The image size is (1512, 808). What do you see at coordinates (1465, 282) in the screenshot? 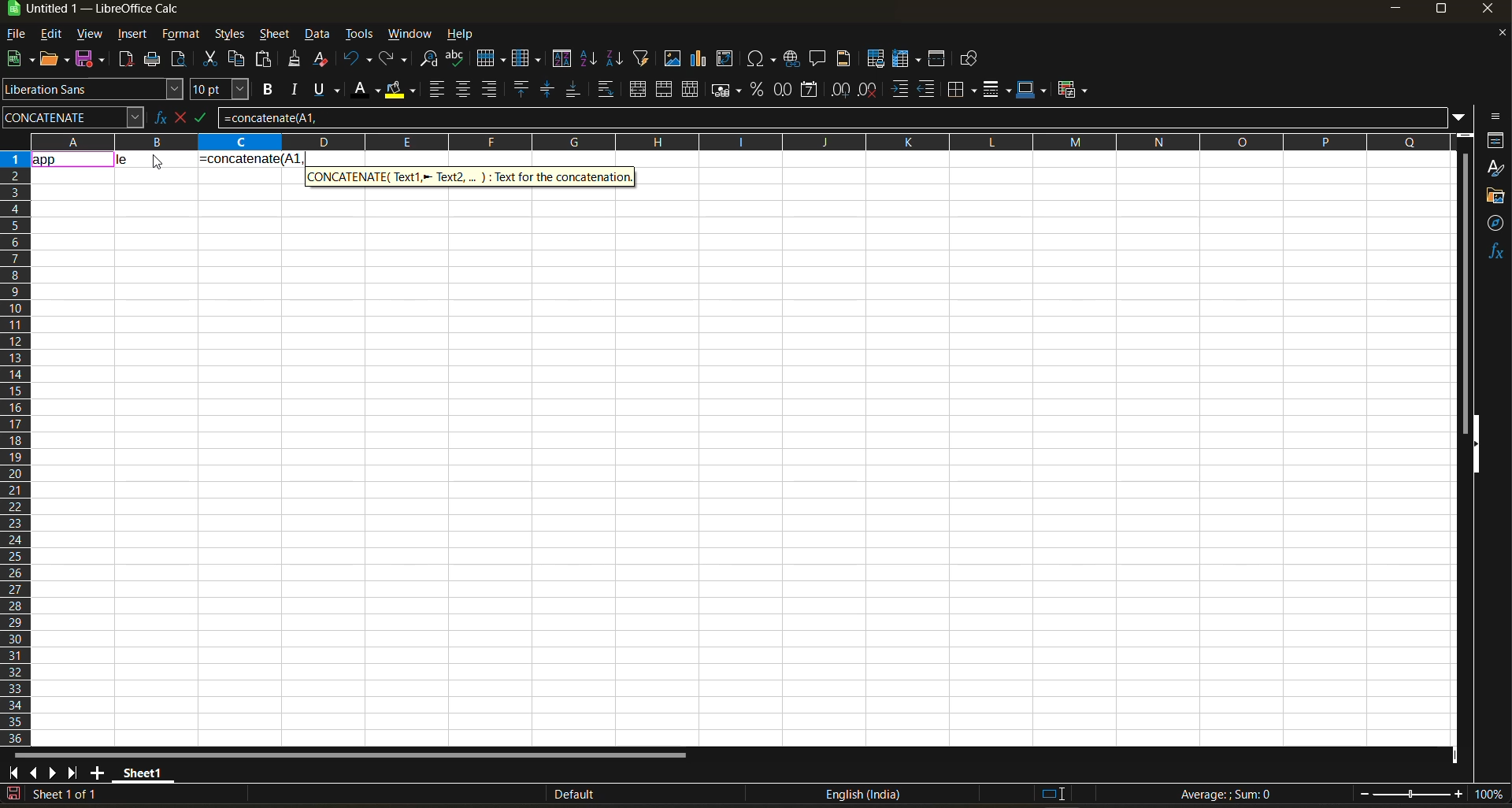
I see `vertical scroll bar` at bounding box center [1465, 282].